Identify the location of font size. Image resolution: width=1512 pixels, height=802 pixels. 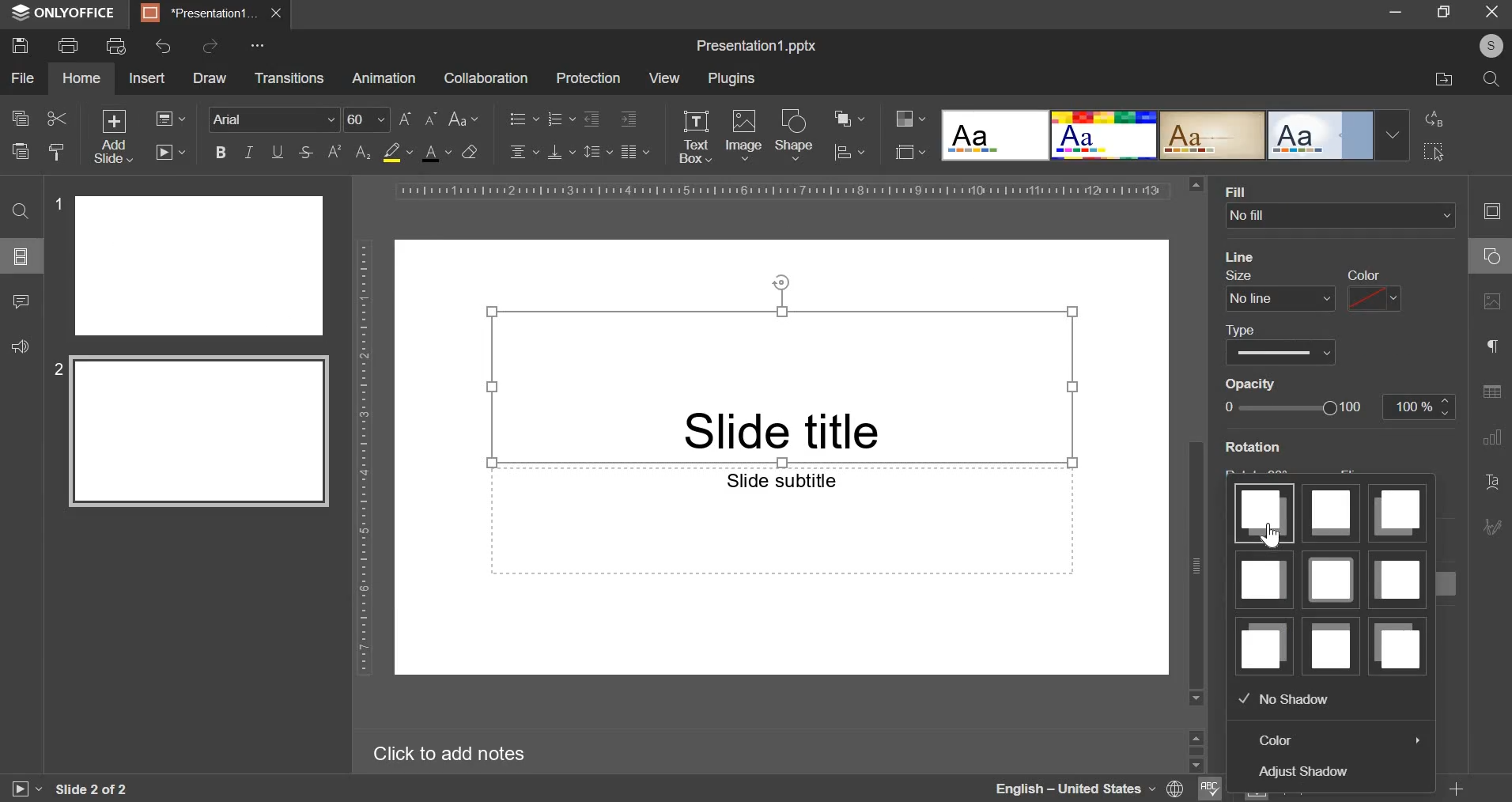
(391, 119).